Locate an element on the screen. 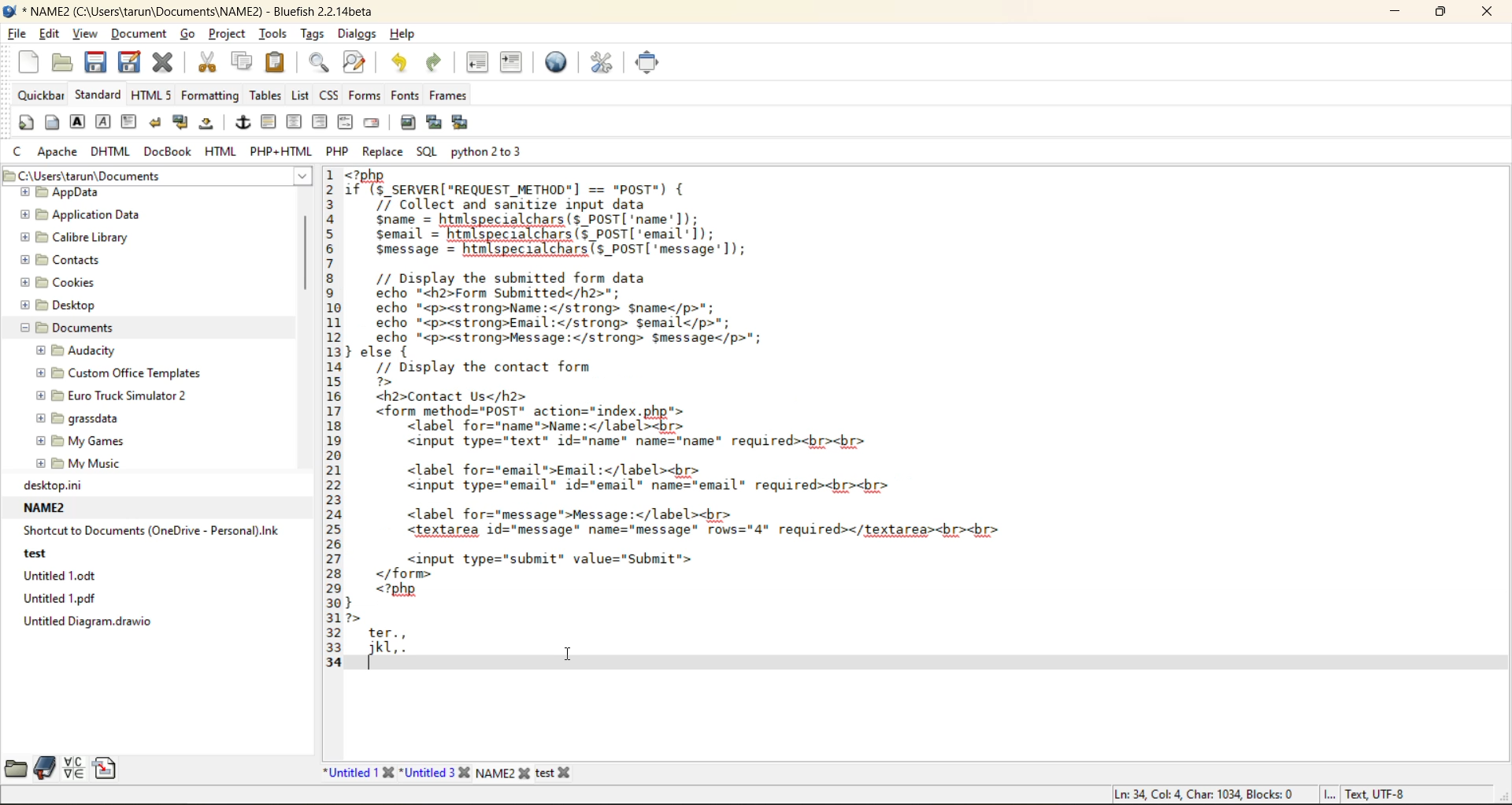  Application Data is located at coordinates (80, 216).